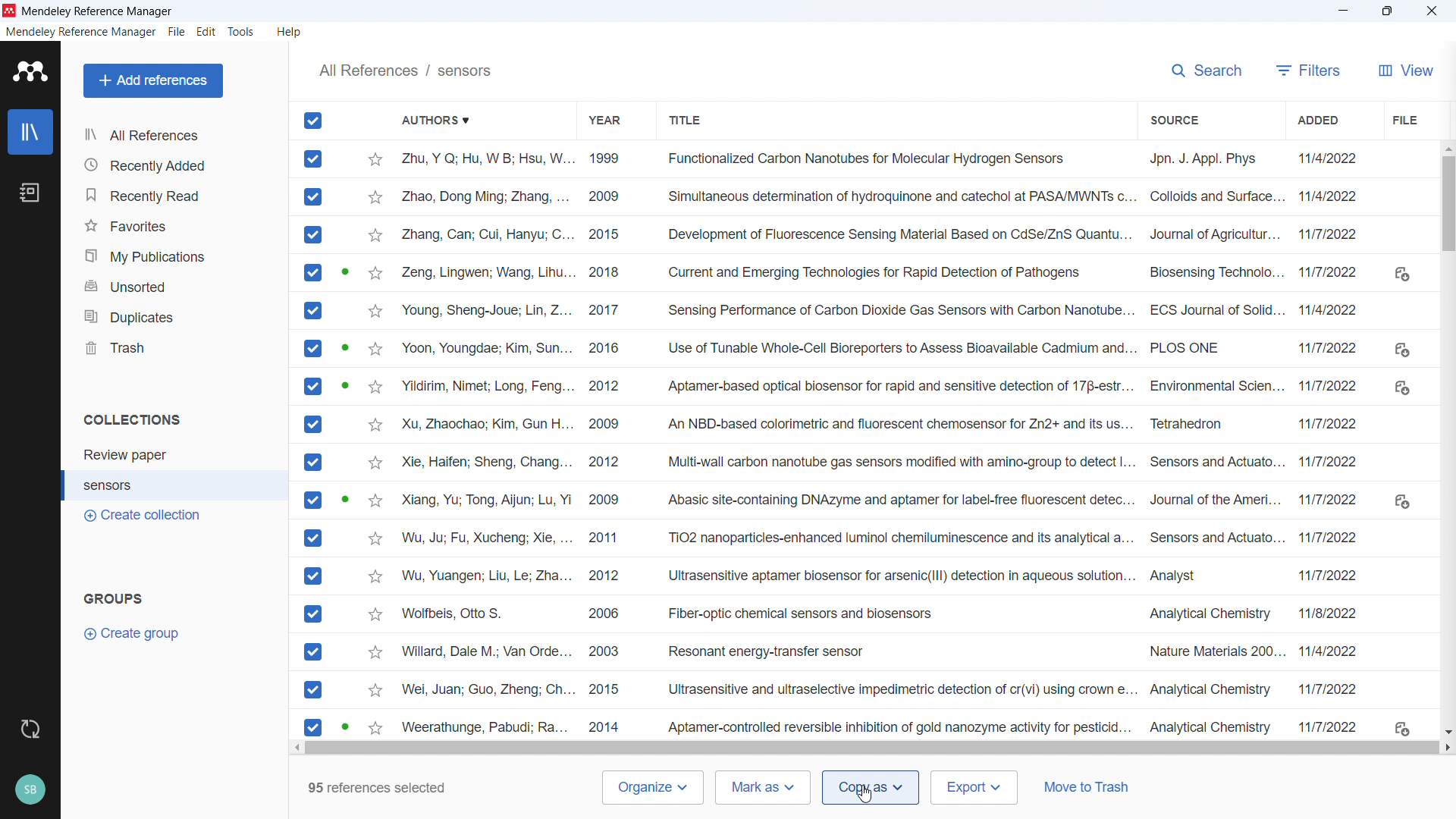  I want to click on Close , so click(1430, 10).